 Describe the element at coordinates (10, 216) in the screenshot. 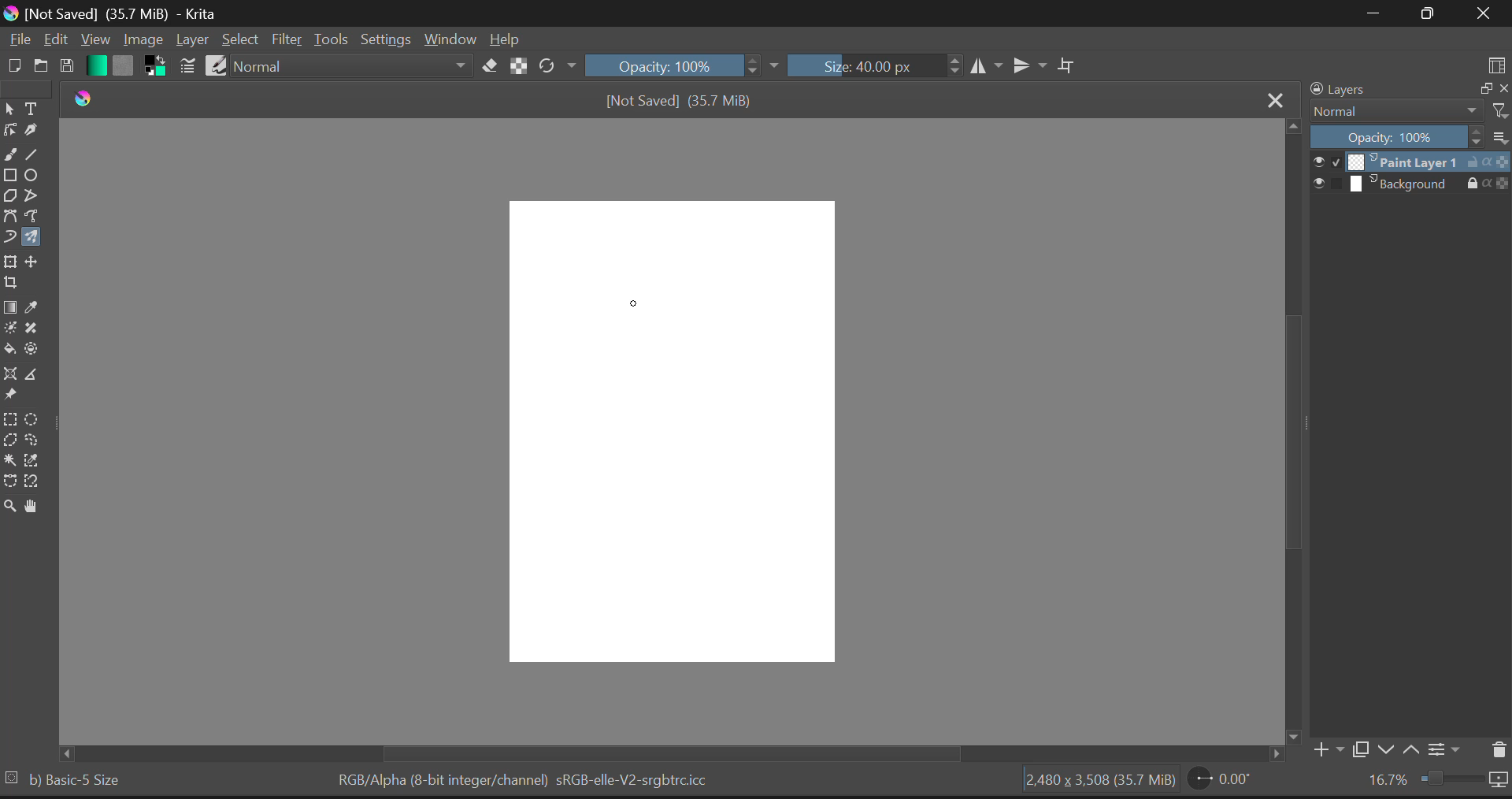

I see `Bezier Curve` at that location.